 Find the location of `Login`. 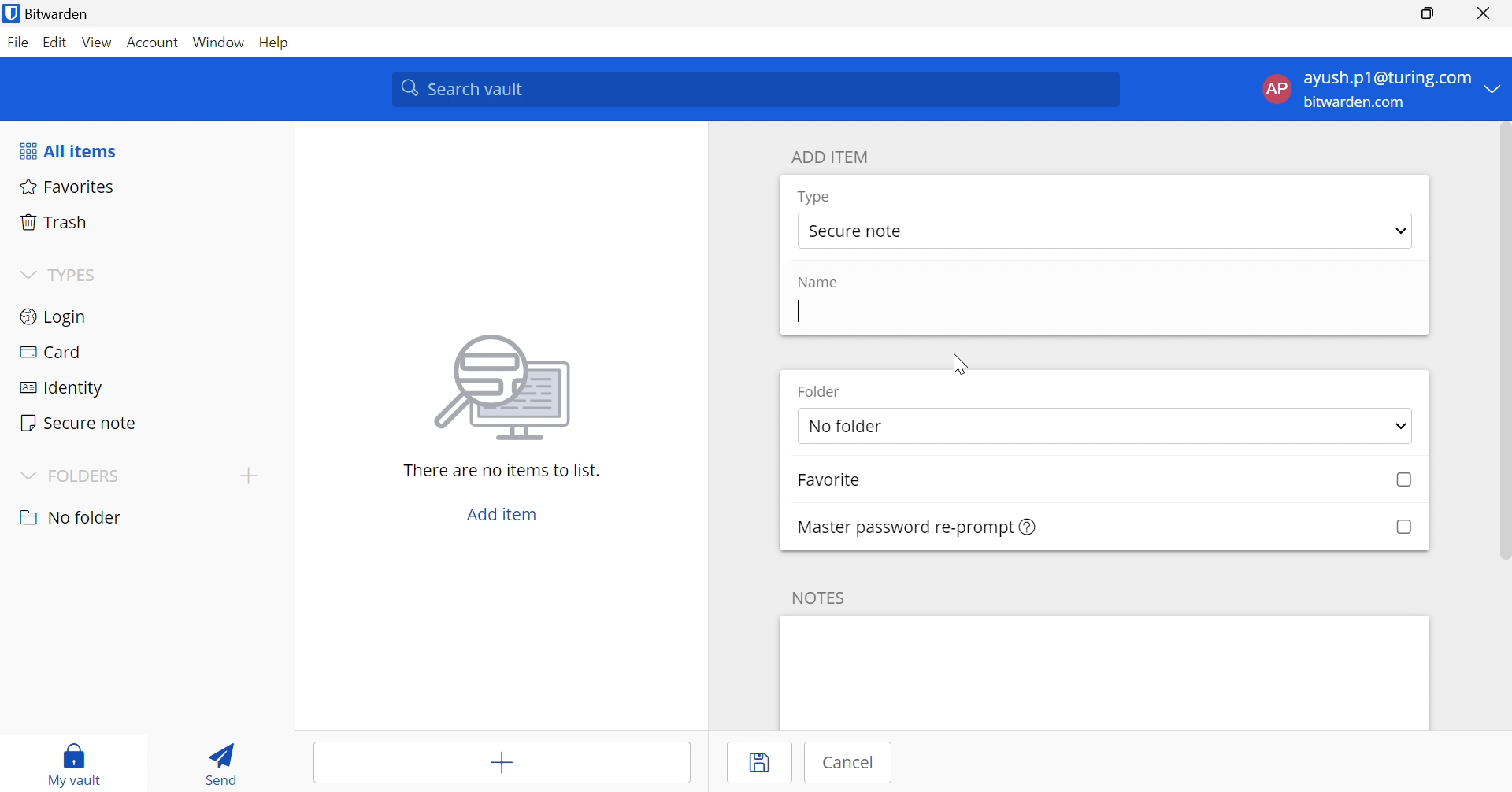

Login is located at coordinates (143, 316).